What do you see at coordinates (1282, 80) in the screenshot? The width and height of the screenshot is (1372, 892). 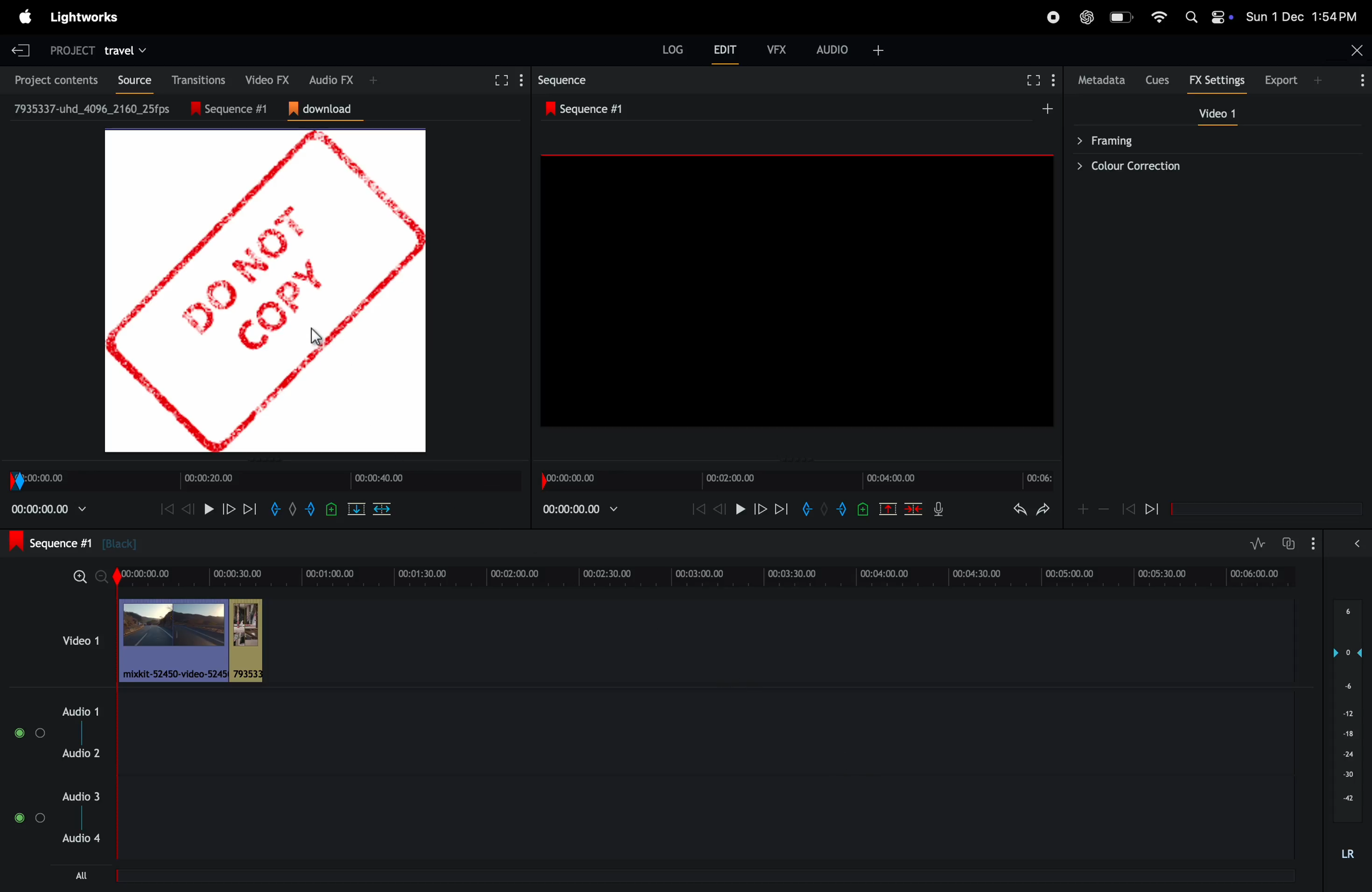 I see `export` at bounding box center [1282, 80].